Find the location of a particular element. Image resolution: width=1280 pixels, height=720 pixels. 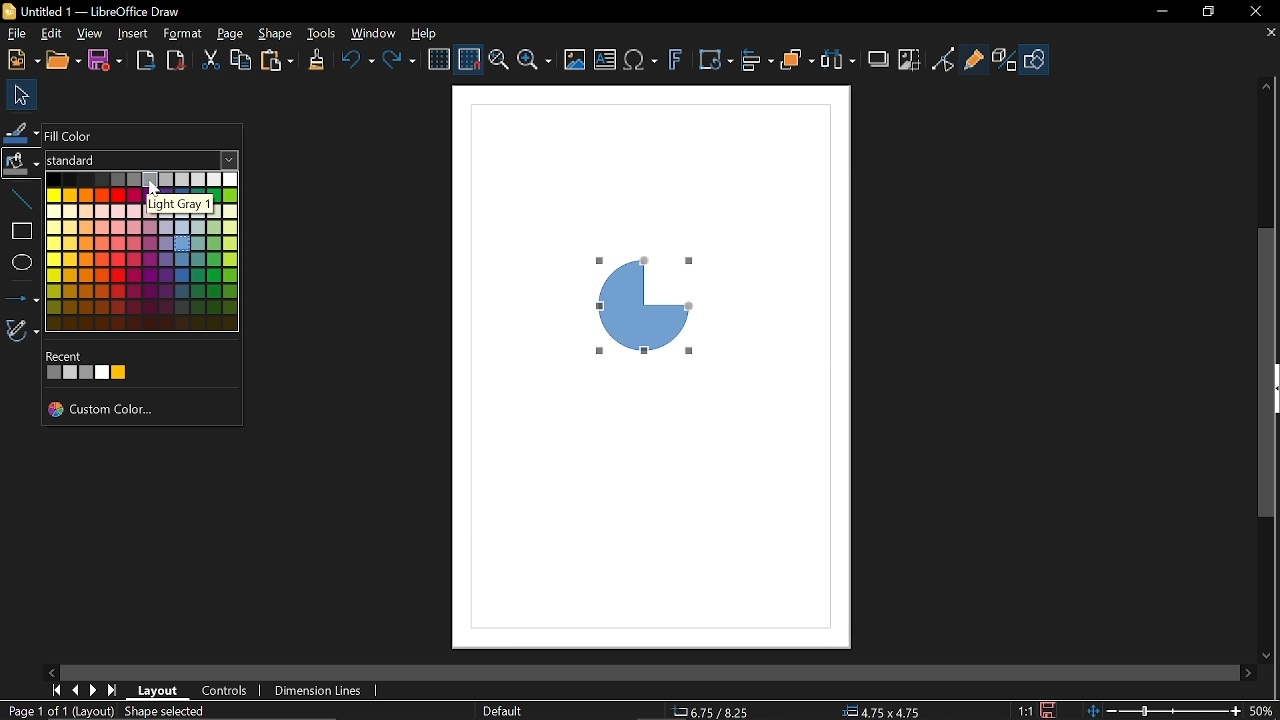

Shape is located at coordinates (275, 35).